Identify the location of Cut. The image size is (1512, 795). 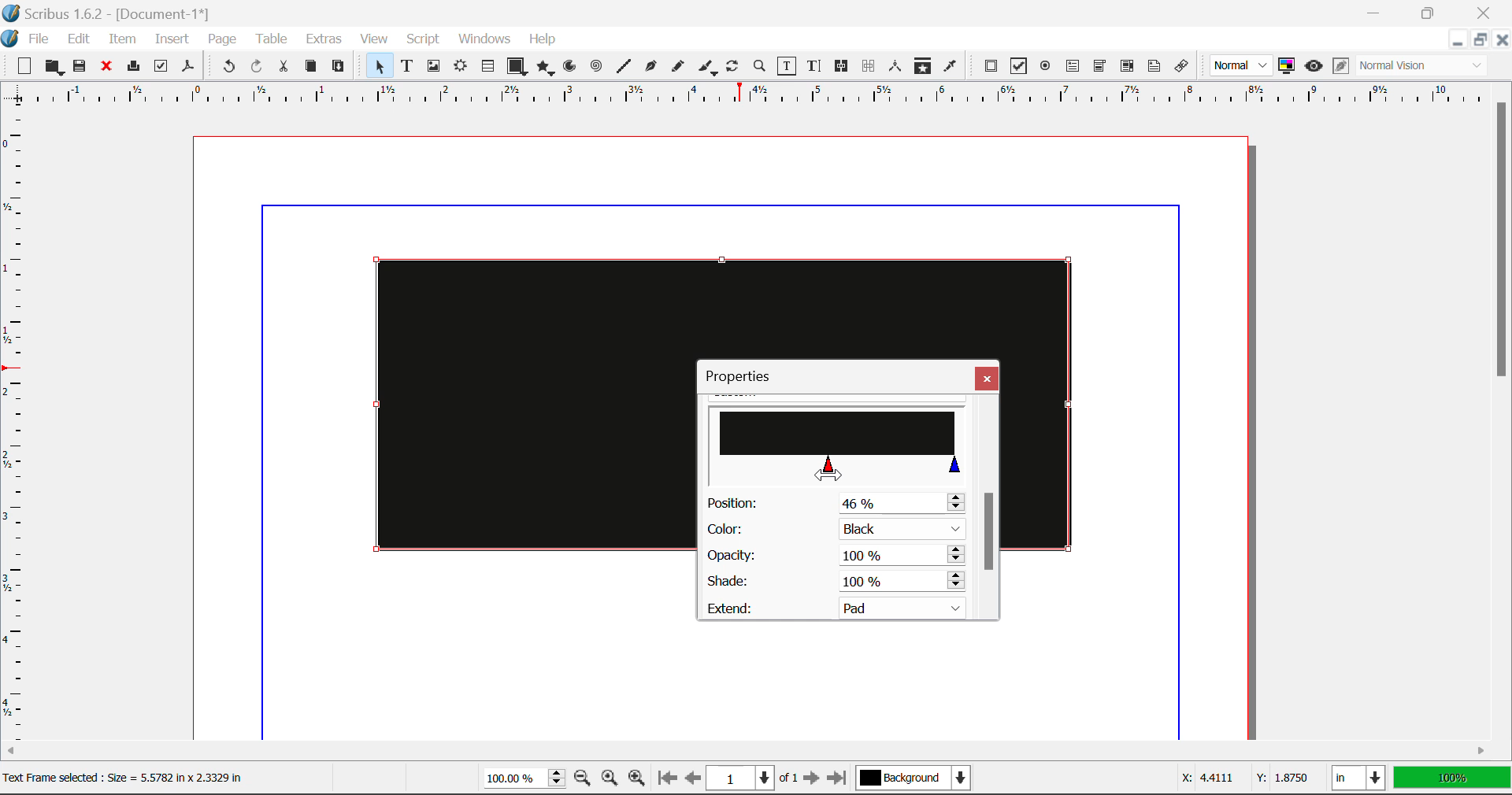
(283, 67).